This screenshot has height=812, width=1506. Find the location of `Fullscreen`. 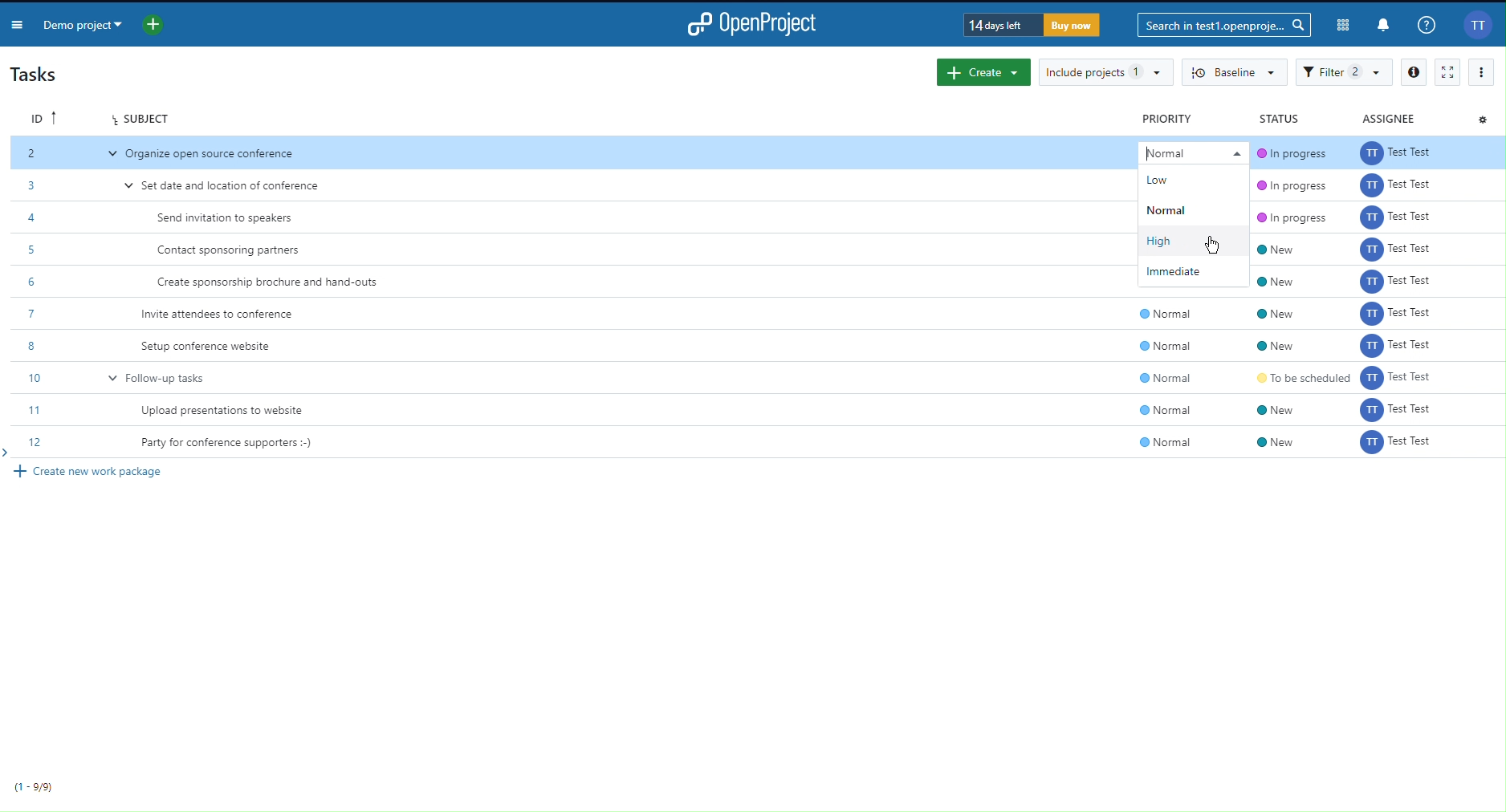

Fullscreen is located at coordinates (1447, 71).